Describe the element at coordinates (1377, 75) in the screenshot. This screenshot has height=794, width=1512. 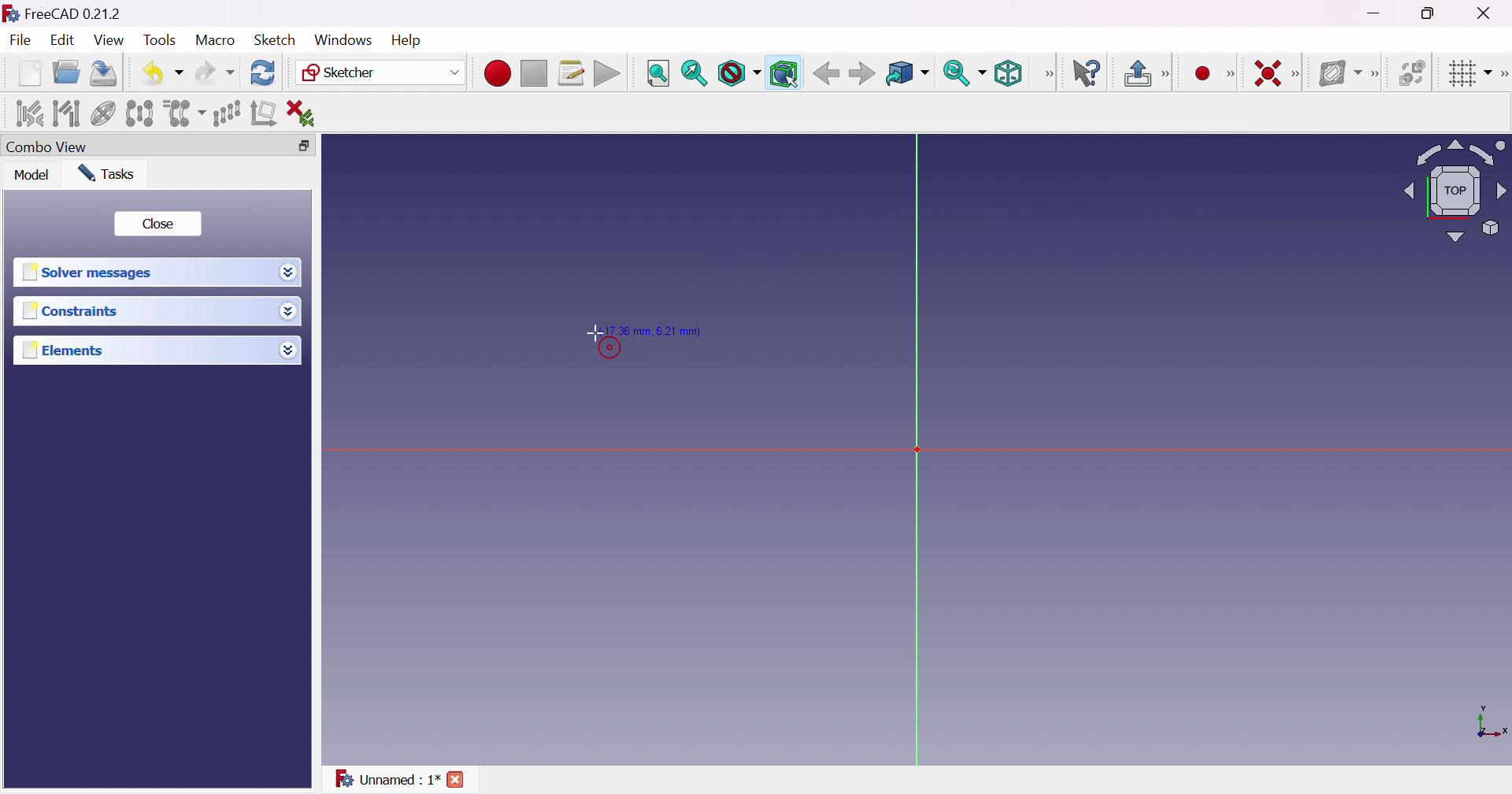
I see `Sketcher -spline tools` at that location.